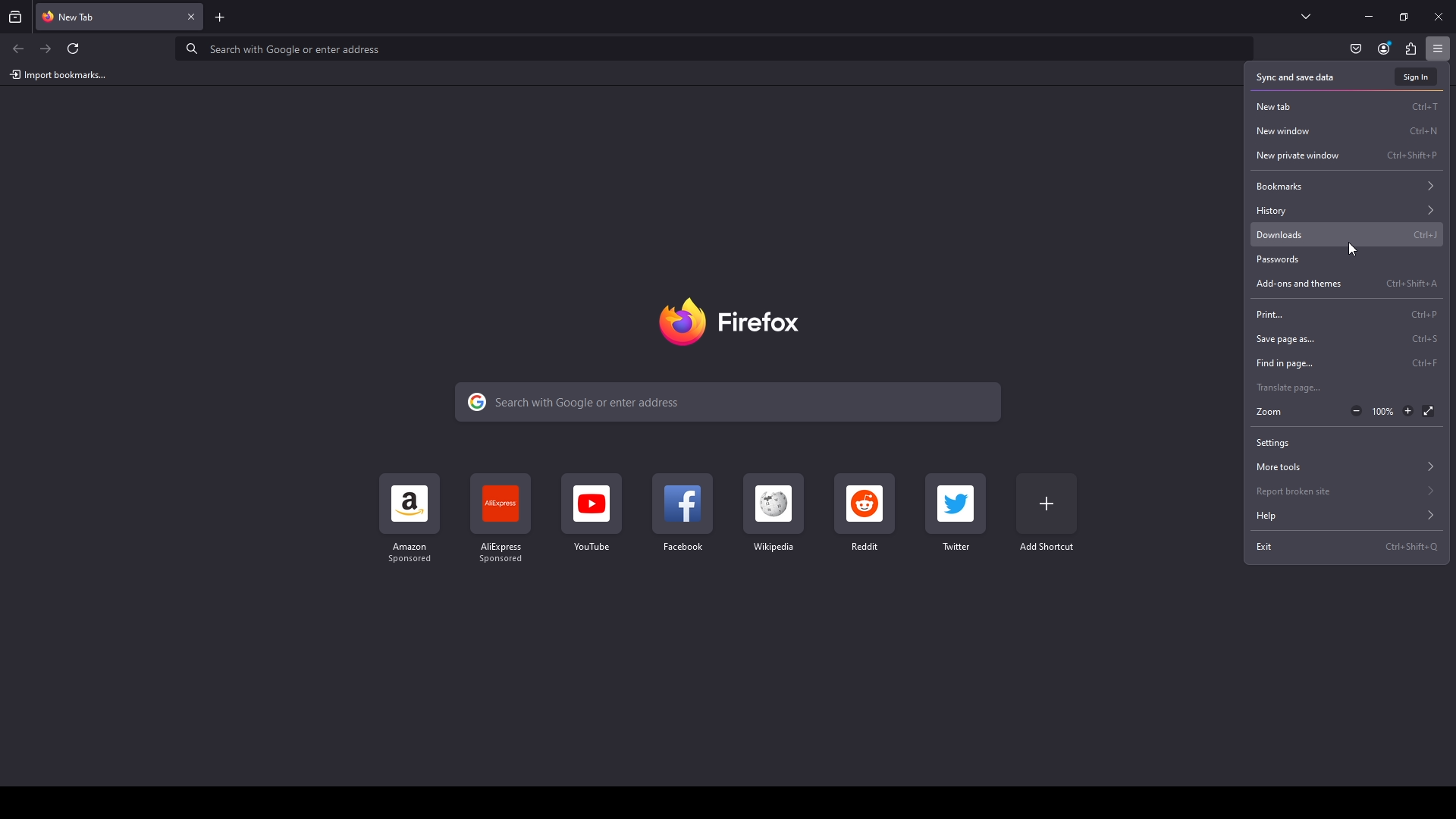 This screenshot has height=819, width=1456. What do you see at coordinates (772, 513) in the screenshot?
I see `Wikipedia` at bounding box center [772, 513].